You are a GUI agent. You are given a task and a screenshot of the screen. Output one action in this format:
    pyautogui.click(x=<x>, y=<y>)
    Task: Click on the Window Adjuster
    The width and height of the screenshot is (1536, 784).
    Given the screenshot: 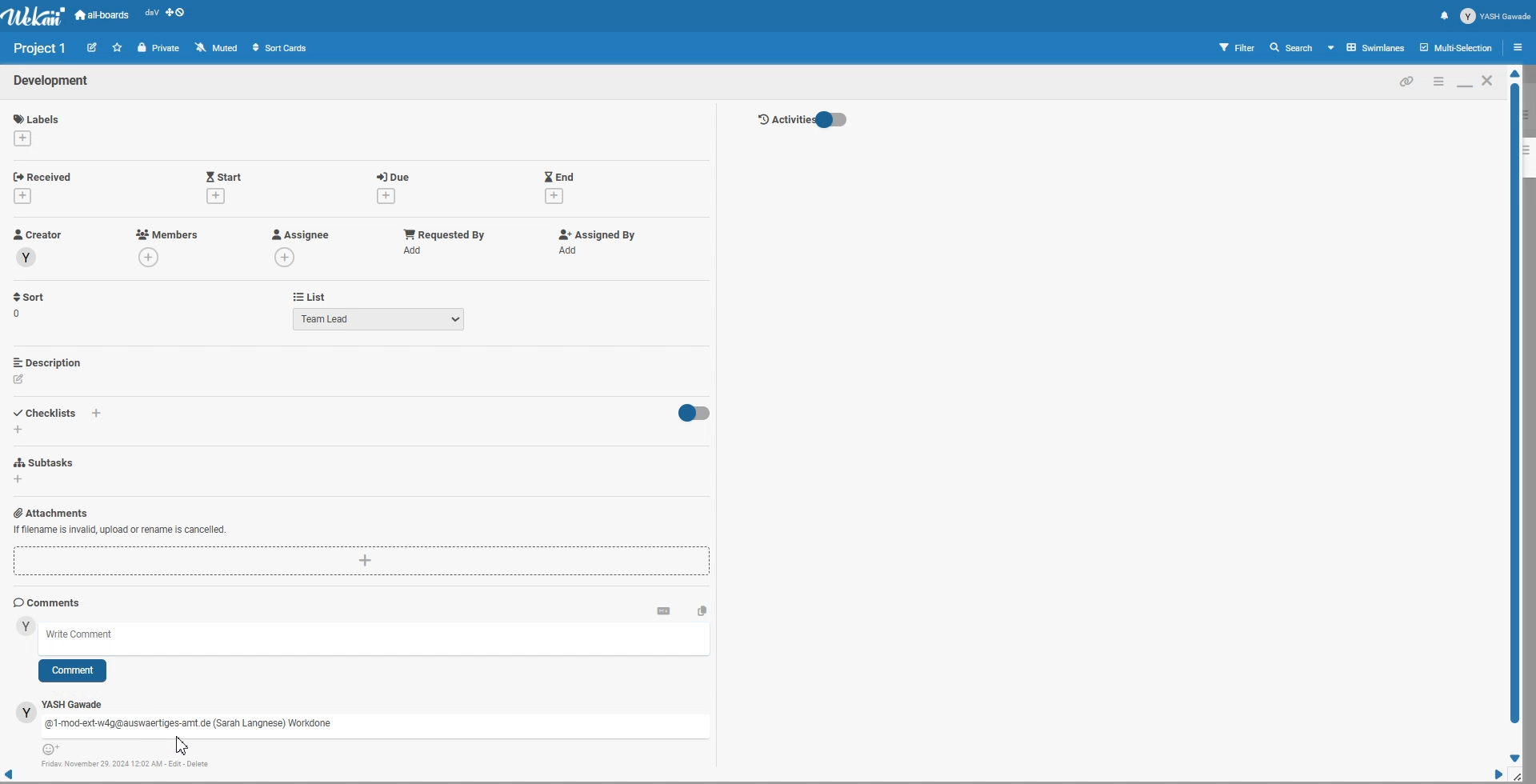 What is the action you would take?
    pyautogui.click(x=1521, y=776)
    